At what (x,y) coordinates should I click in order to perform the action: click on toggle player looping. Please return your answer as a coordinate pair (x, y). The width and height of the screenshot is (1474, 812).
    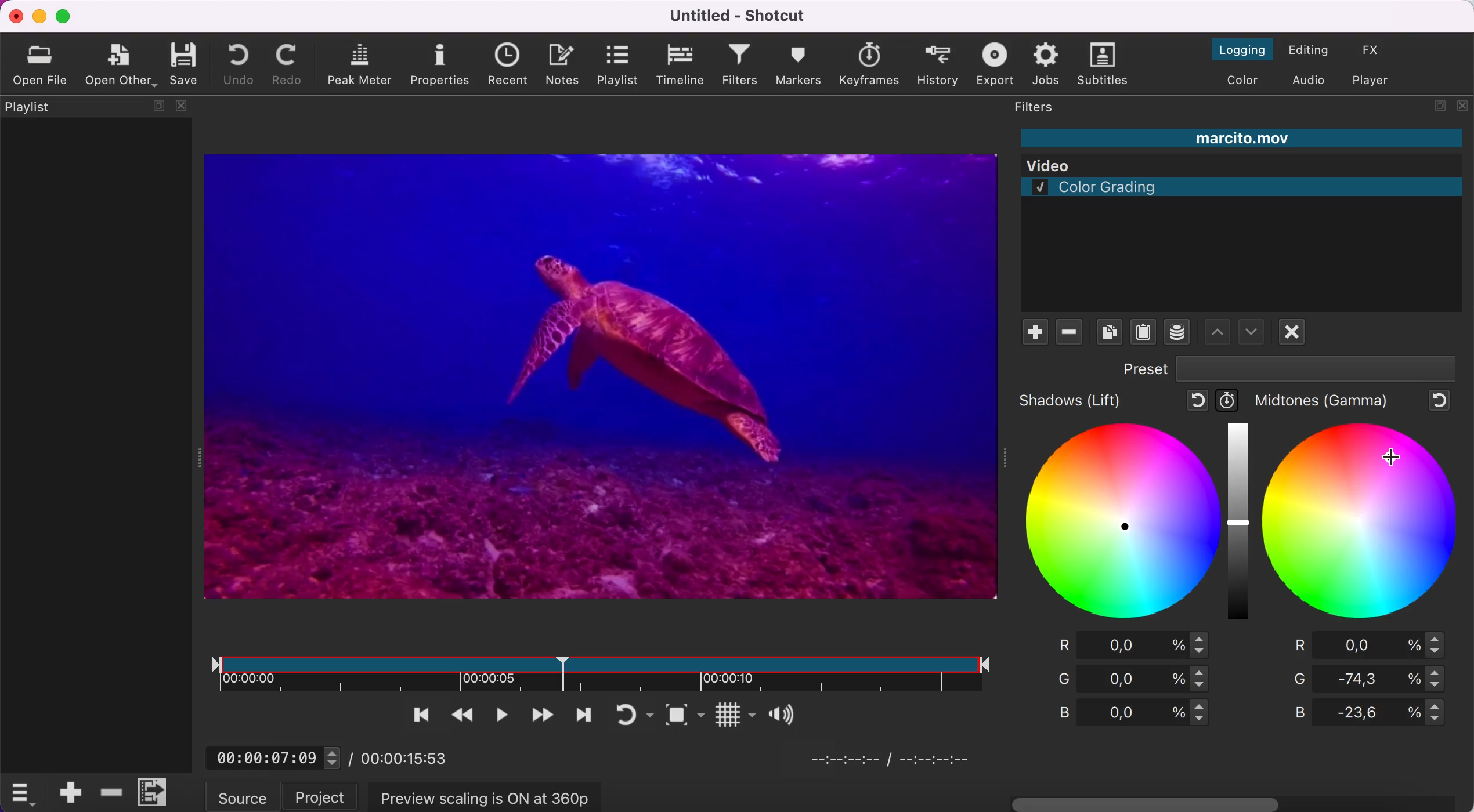
    Looking at the image, I should click on (619, 713).